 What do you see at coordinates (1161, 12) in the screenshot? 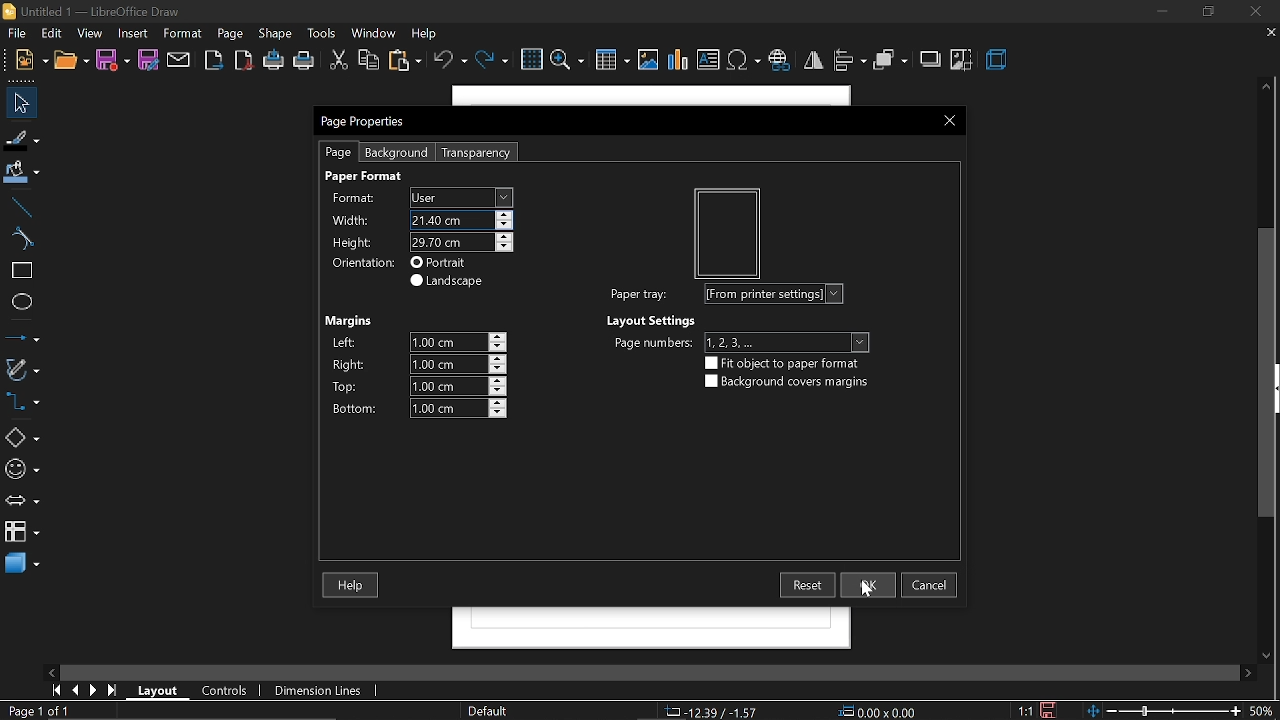
I see `minimize` at bounding box center [1161, 12].